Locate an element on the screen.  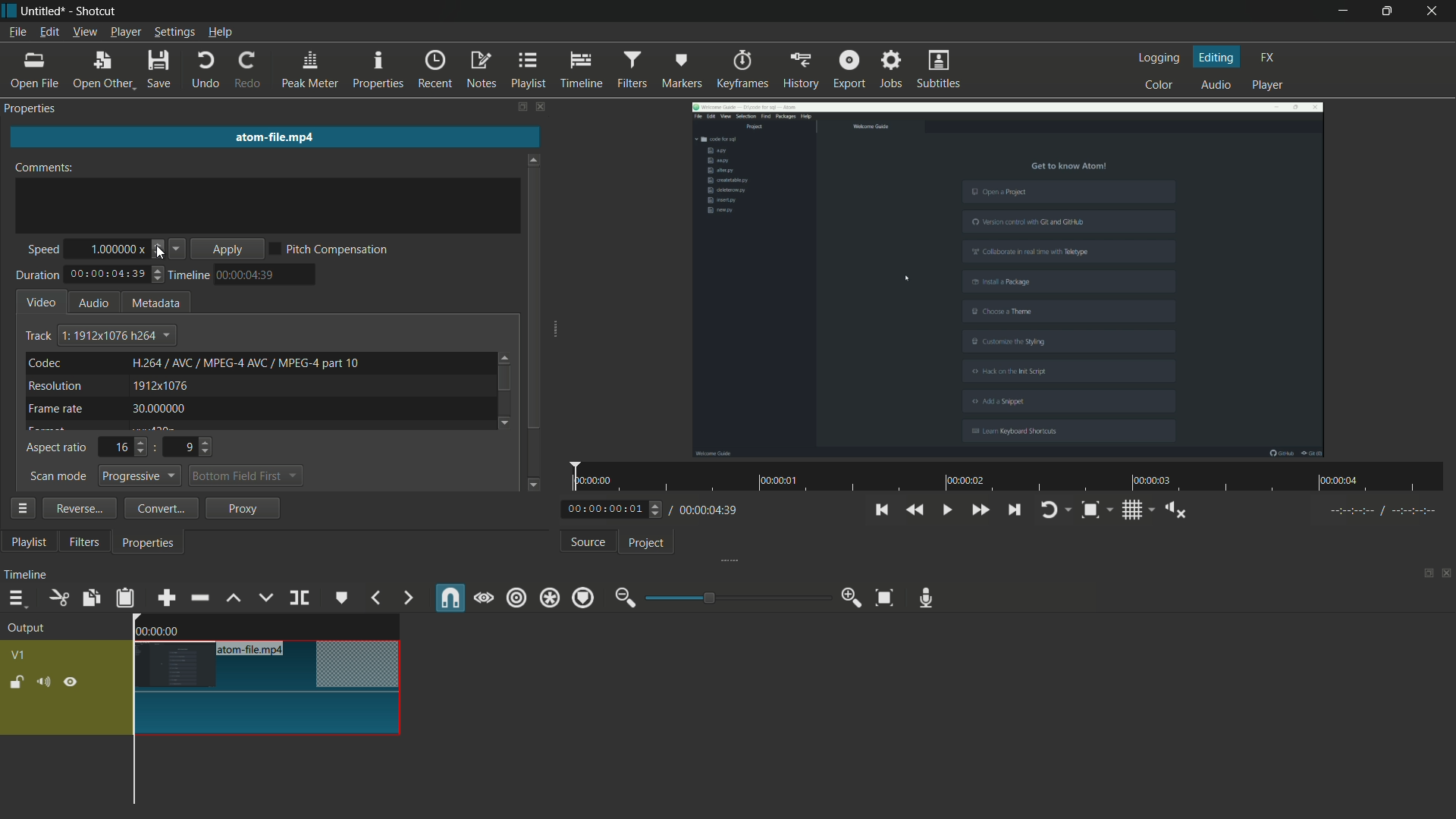
view menu is located at coordinates (86, 32).